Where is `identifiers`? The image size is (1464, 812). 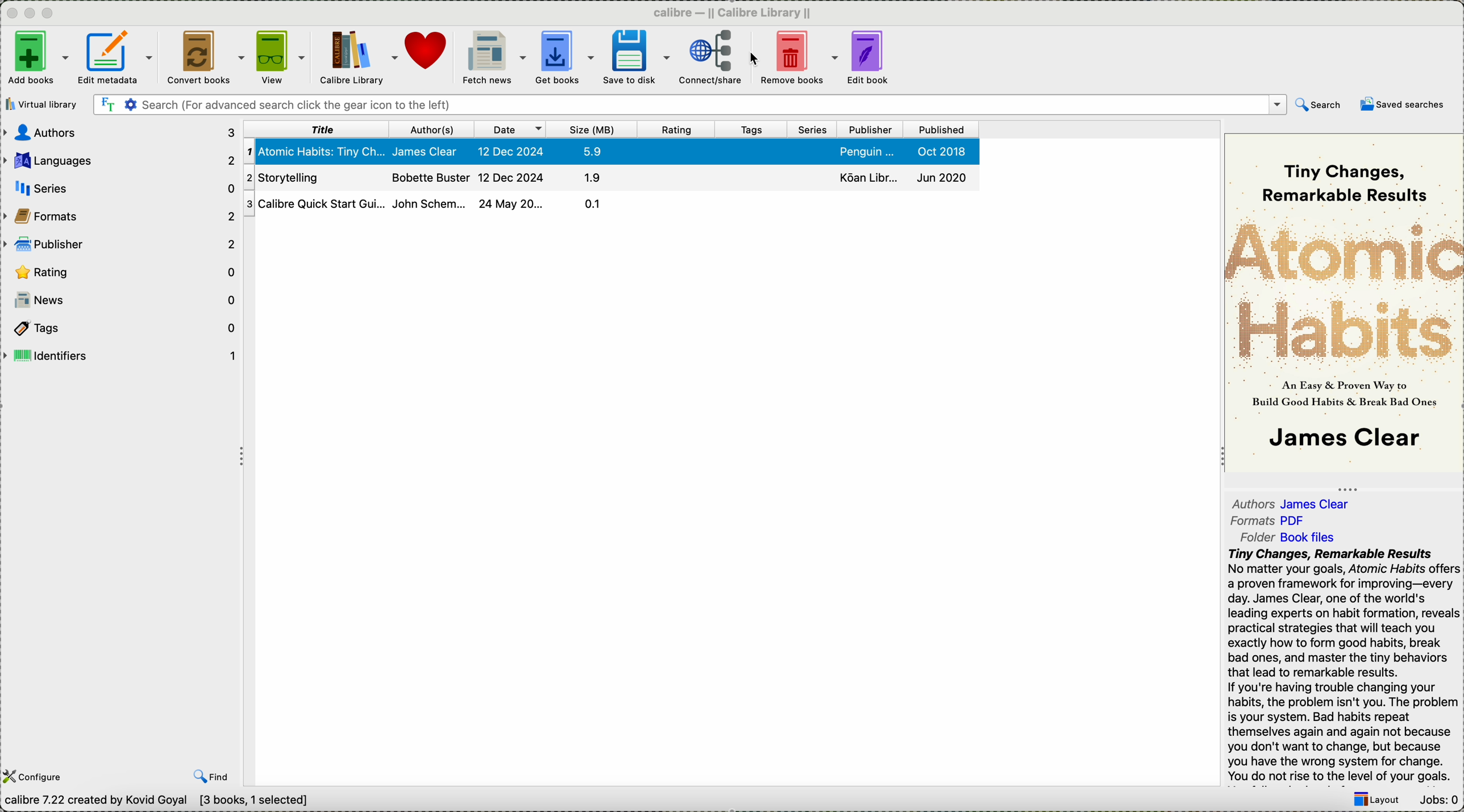 identifiers is located at coordinates (120, 356).